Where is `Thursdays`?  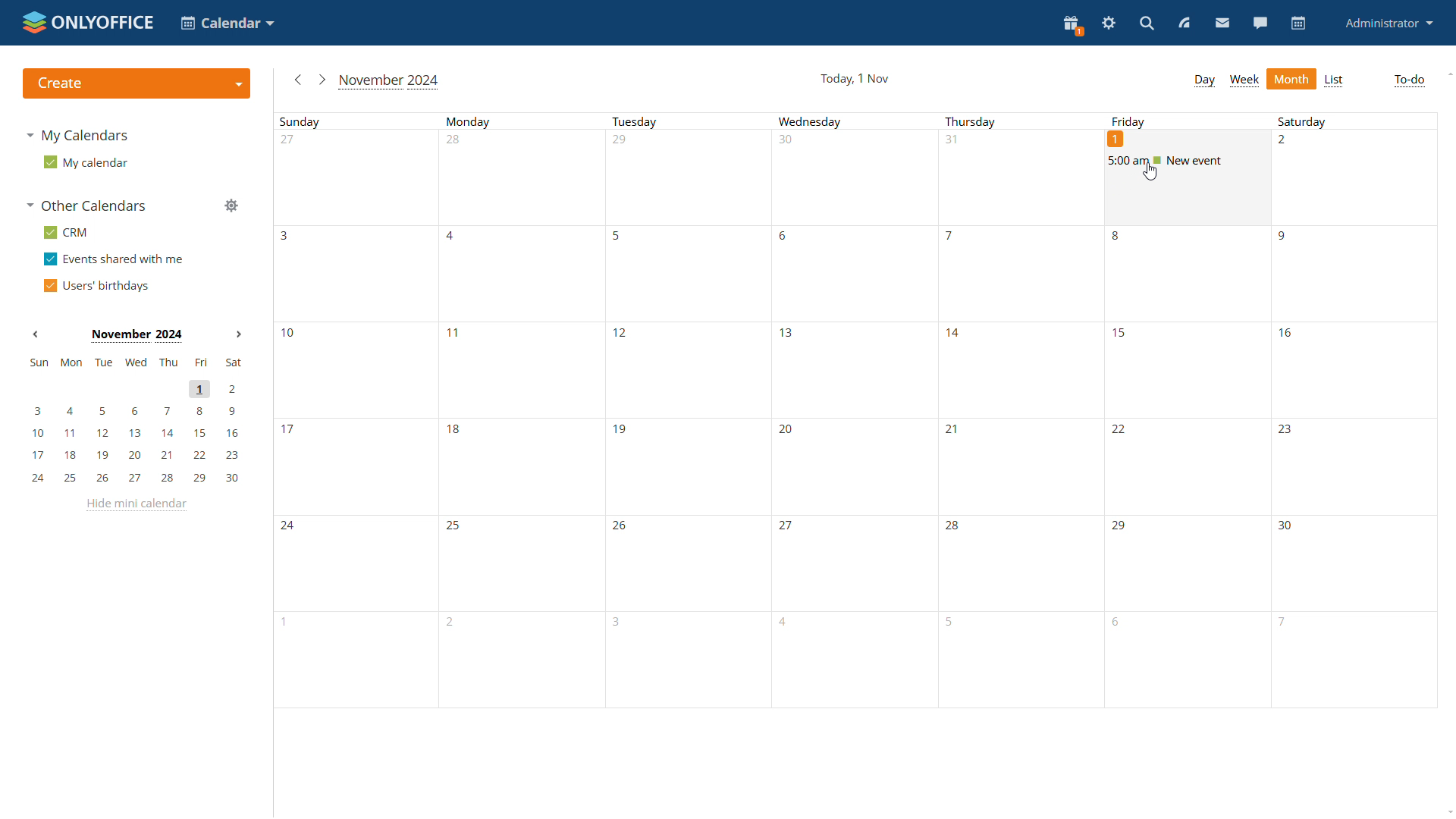 Thursdays is located at coordinates (1014, 411).